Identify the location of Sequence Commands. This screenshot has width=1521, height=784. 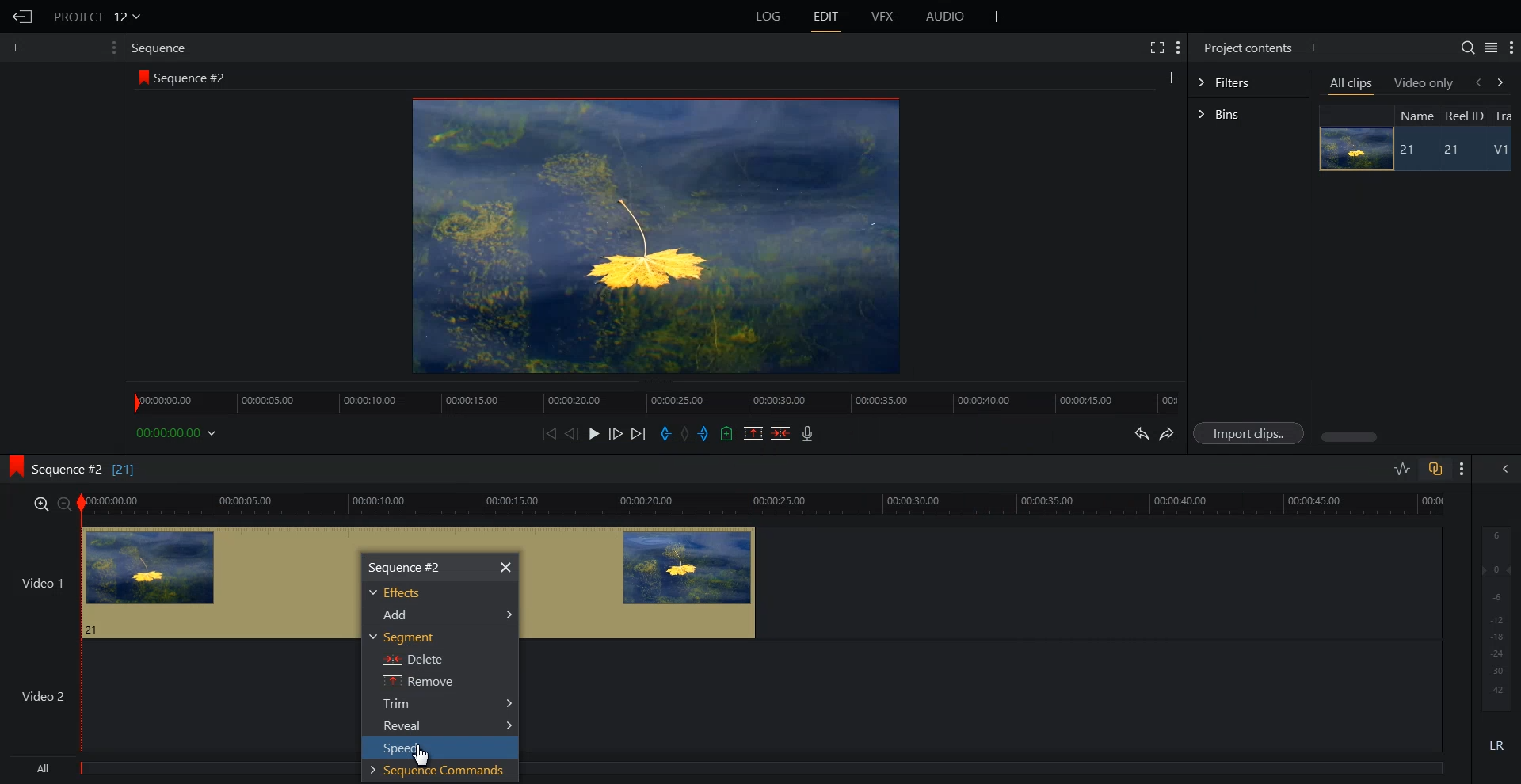
(436, 773).